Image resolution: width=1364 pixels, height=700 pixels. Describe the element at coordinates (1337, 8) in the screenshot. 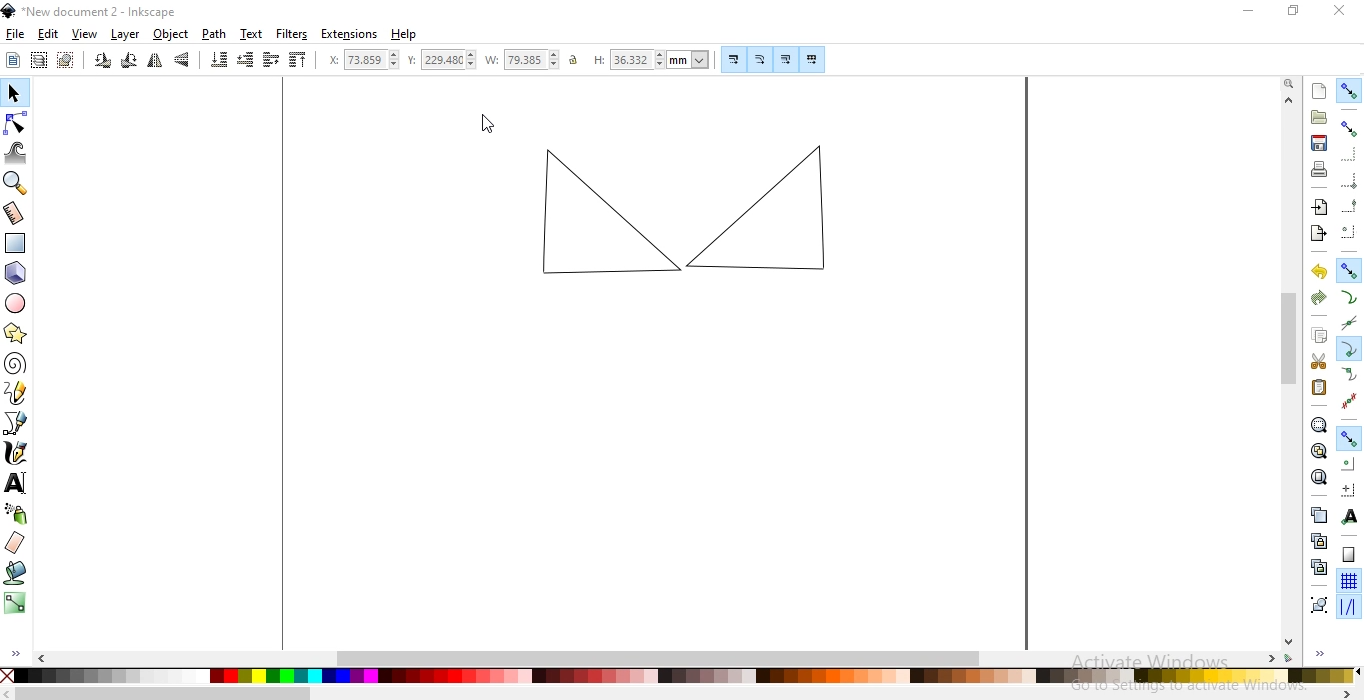

I see `close` at that location.